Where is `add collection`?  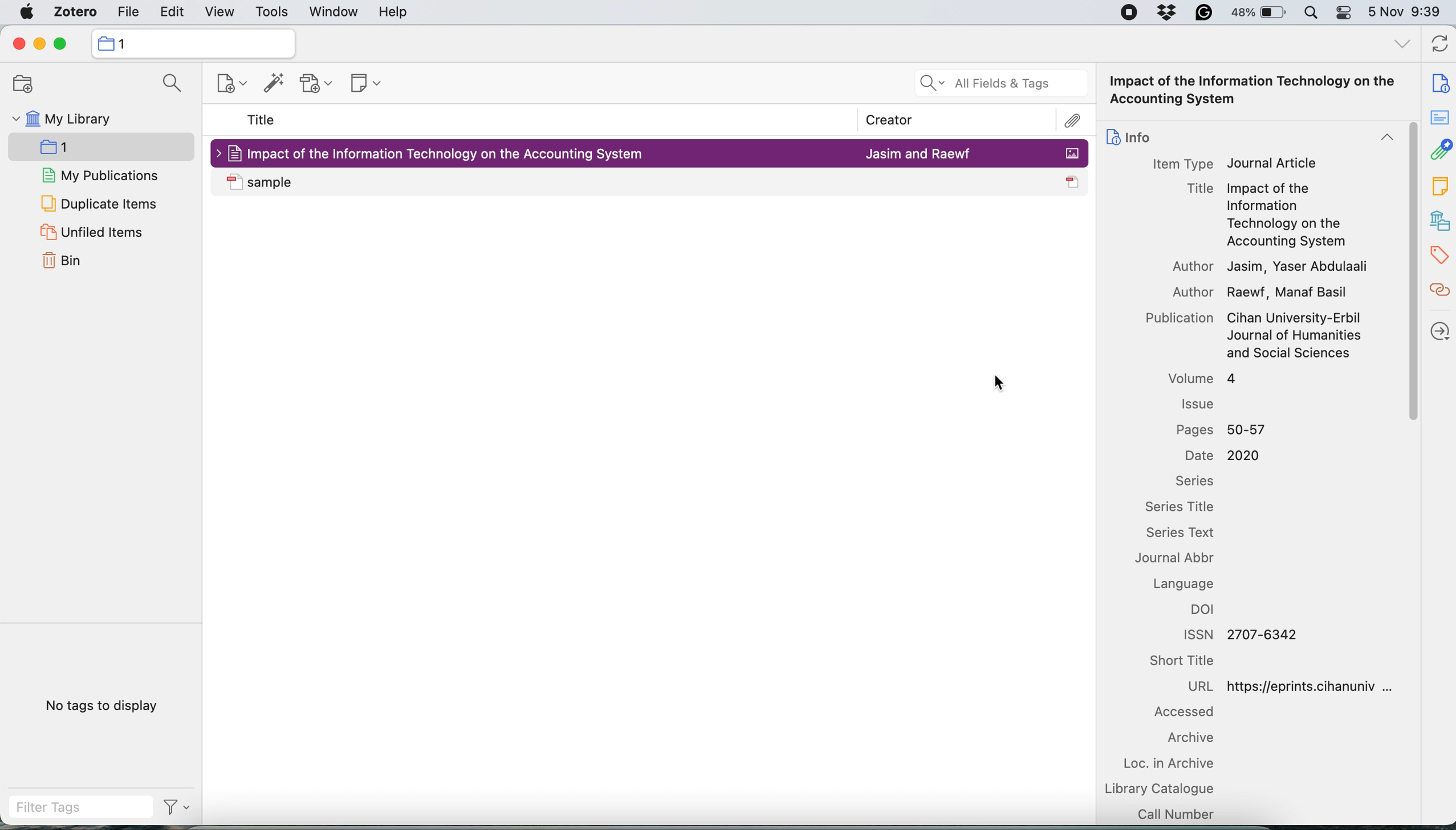
add collection is located at coordinates (27, 85).